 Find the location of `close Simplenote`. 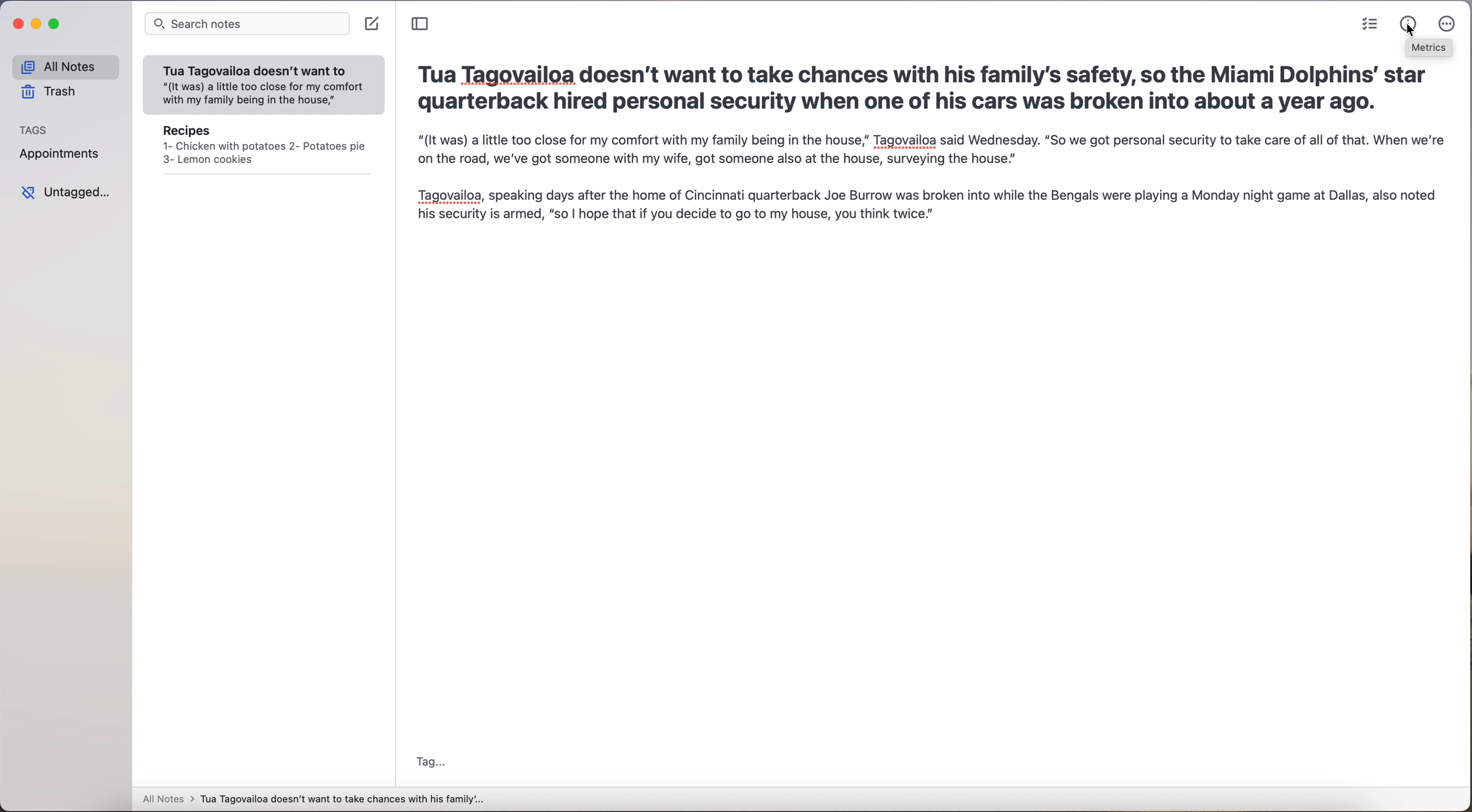

close Simplenote is located at coordinates (17, 23).